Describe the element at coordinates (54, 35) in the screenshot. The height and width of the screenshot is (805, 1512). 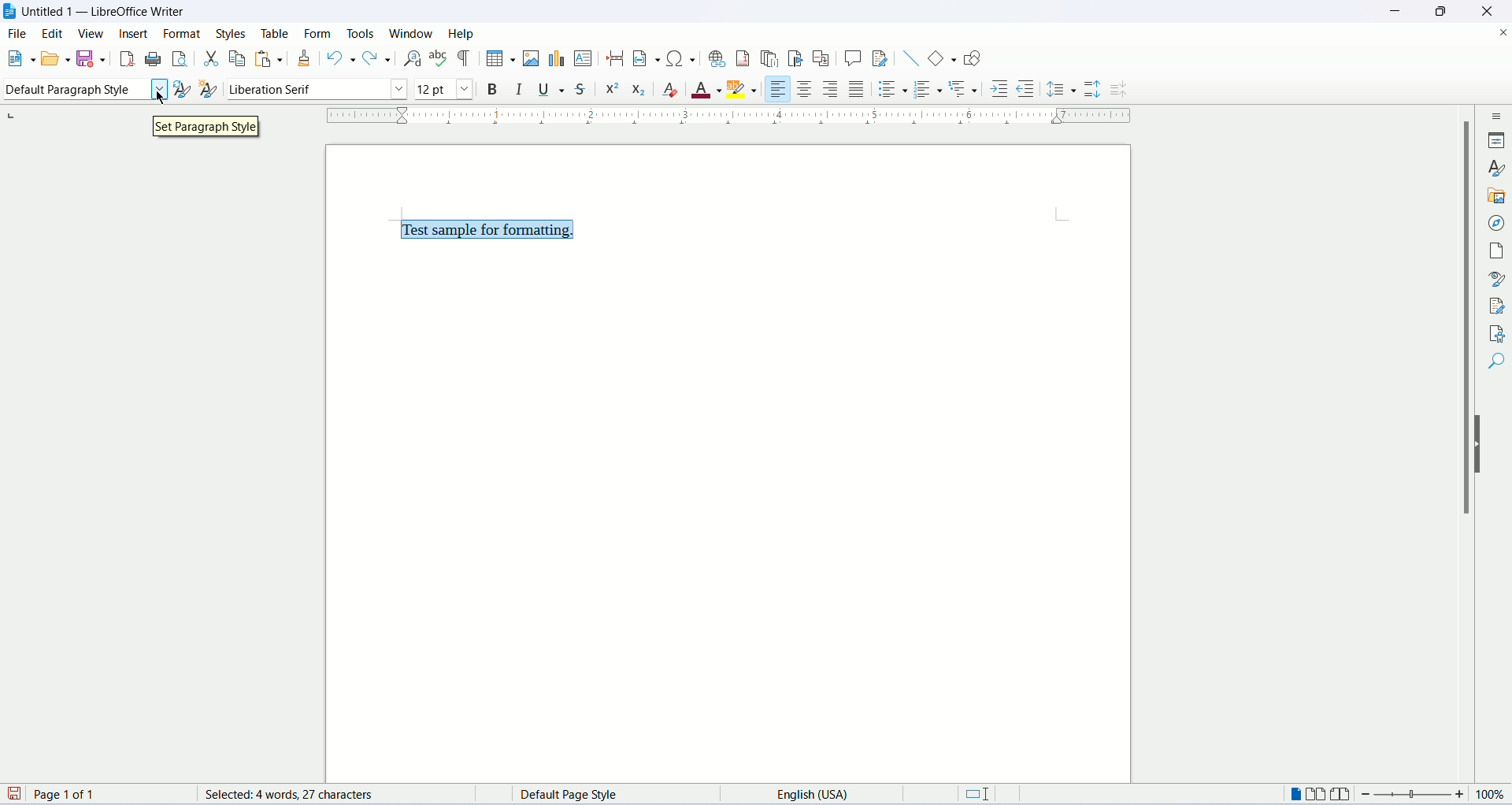
I see `edit` at that location.